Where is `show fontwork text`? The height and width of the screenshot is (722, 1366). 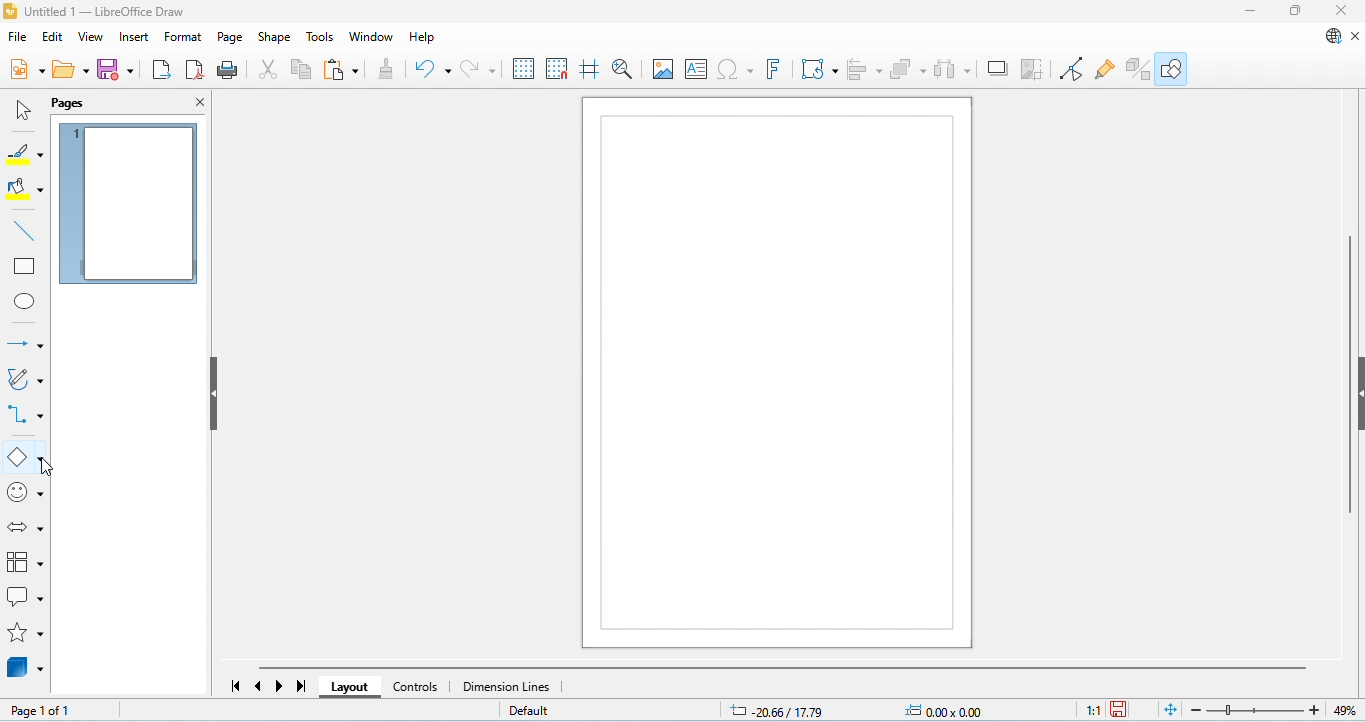
show fontwork text is located at coordinates (774, 69).